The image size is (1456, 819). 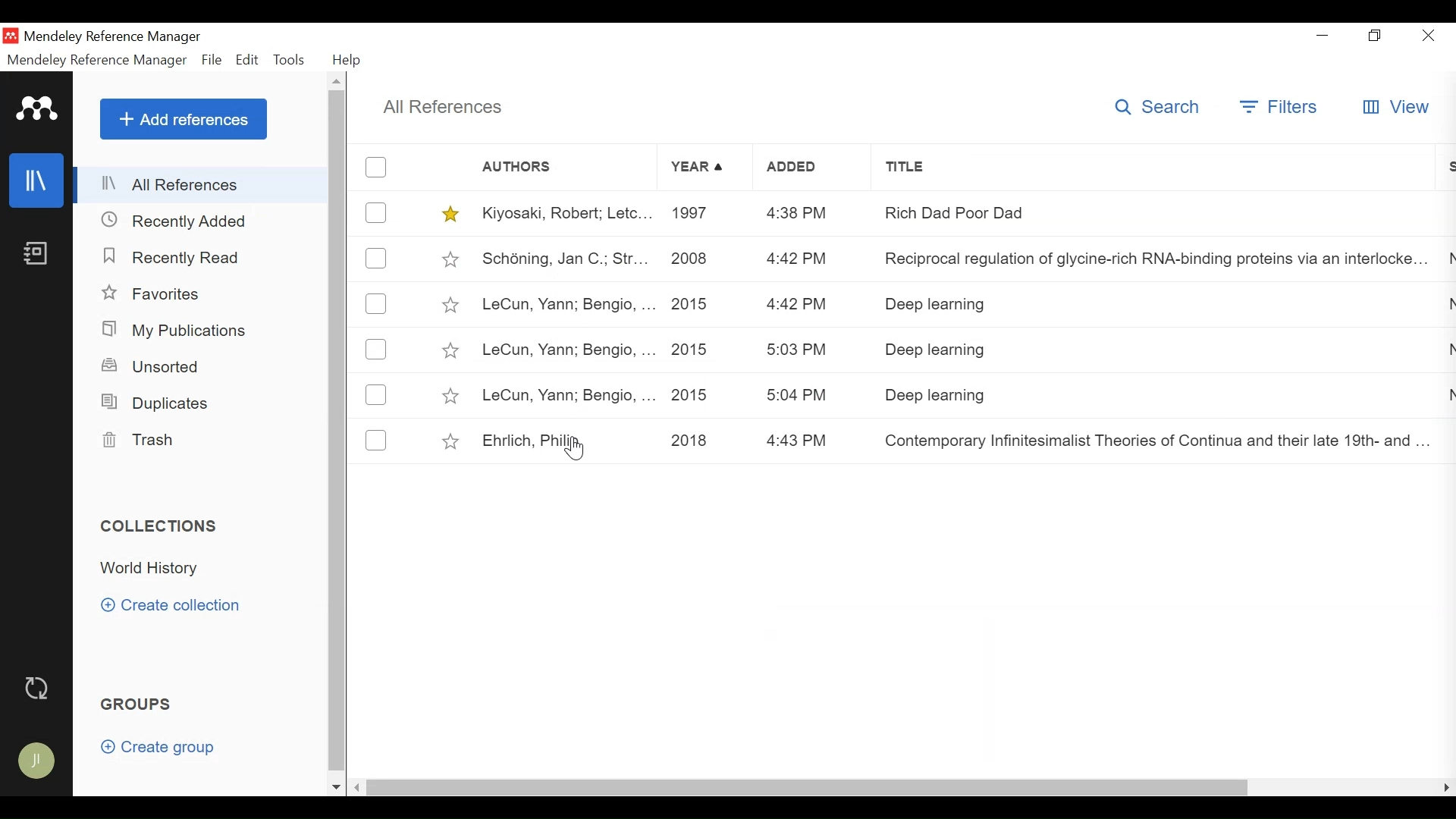 I want to click on Cursor, so click(x=576, y=449).